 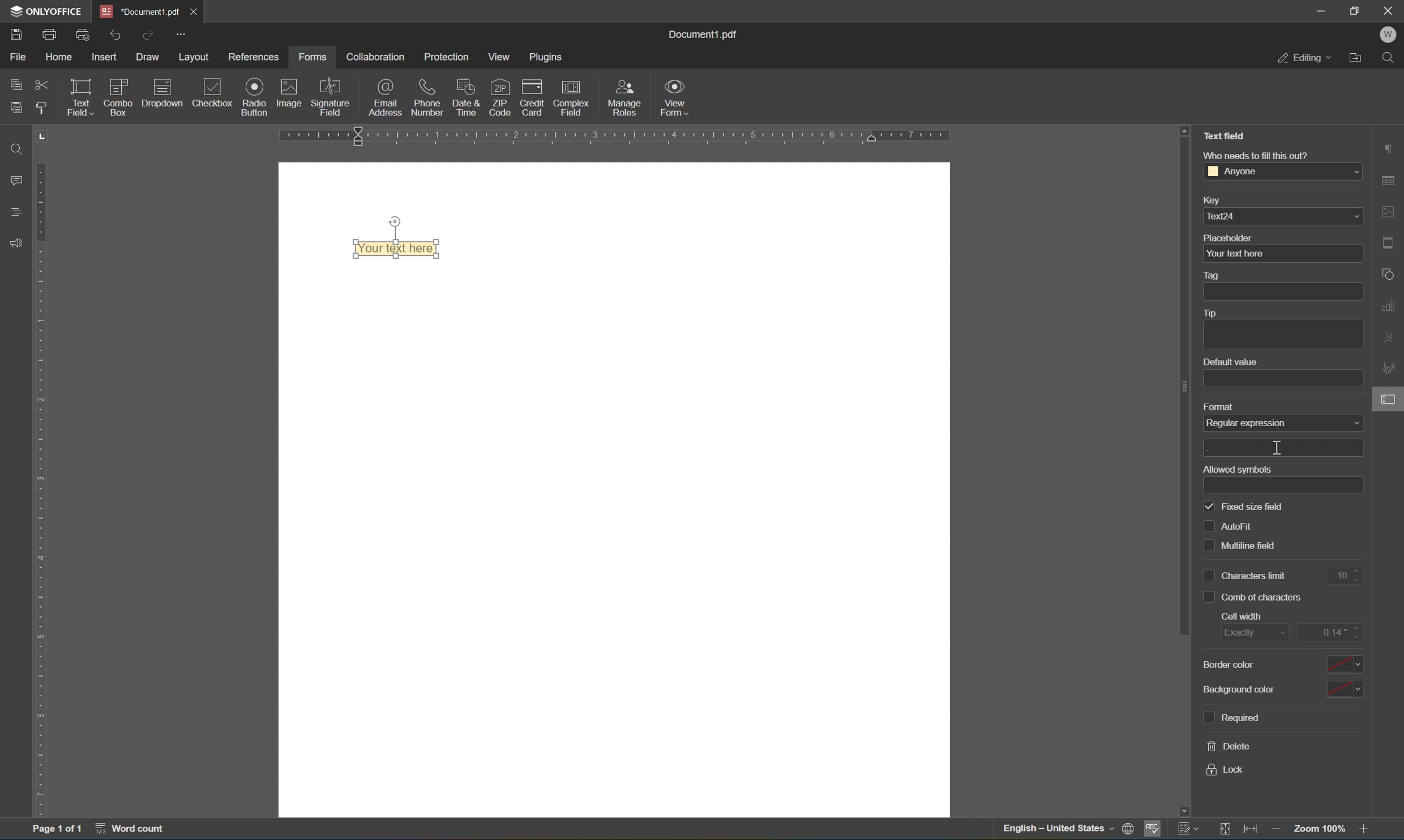 What do you see at coordinates (532, 100) in the screenshot?
I see `credit card` at bounding box center [532, 100].